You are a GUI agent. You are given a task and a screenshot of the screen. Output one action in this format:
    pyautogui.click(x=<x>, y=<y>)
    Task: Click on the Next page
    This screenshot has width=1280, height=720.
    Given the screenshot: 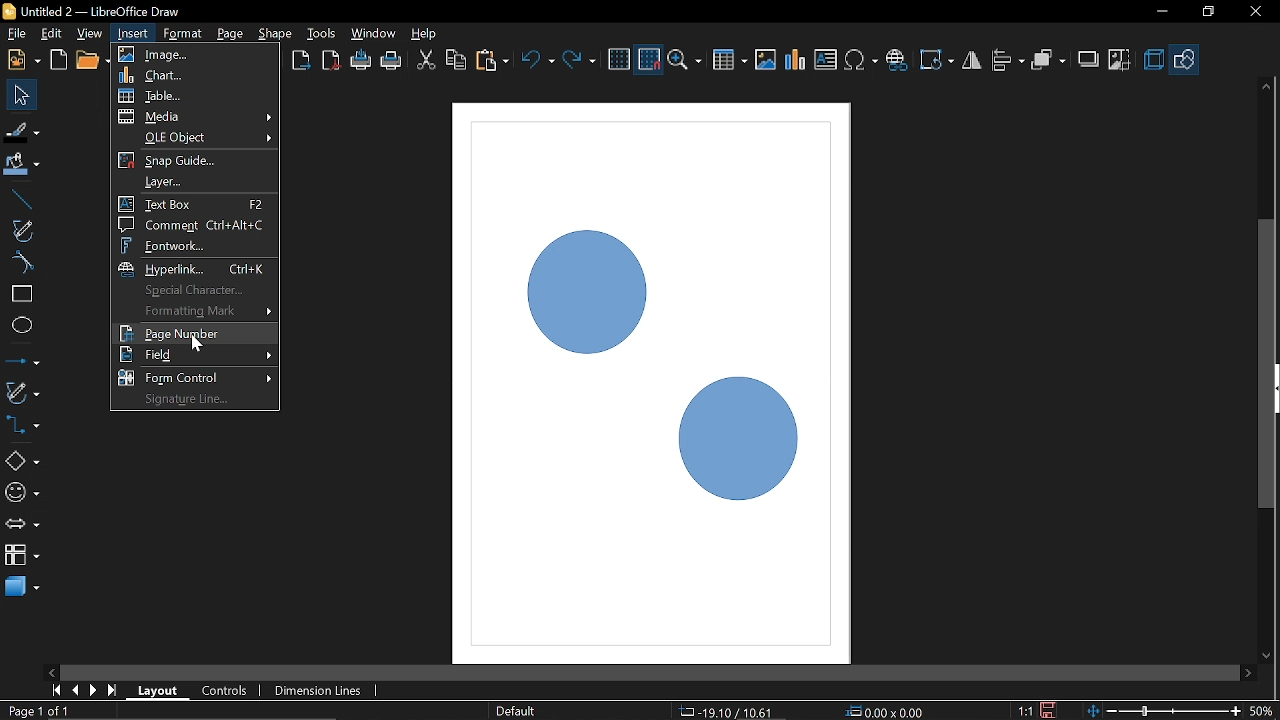 What is the action you would take?
    pyautogui.click(x=94, y=690)
    